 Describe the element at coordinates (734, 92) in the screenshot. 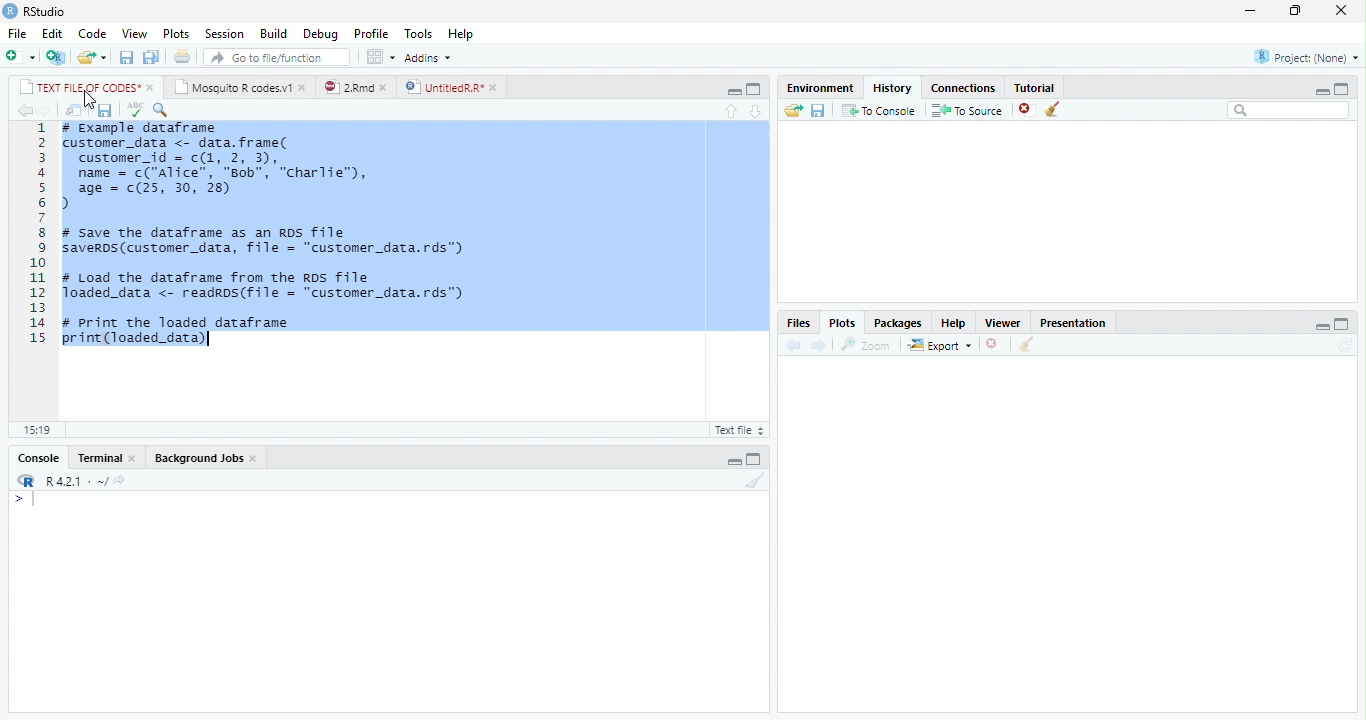

I see `minimize` at that location.